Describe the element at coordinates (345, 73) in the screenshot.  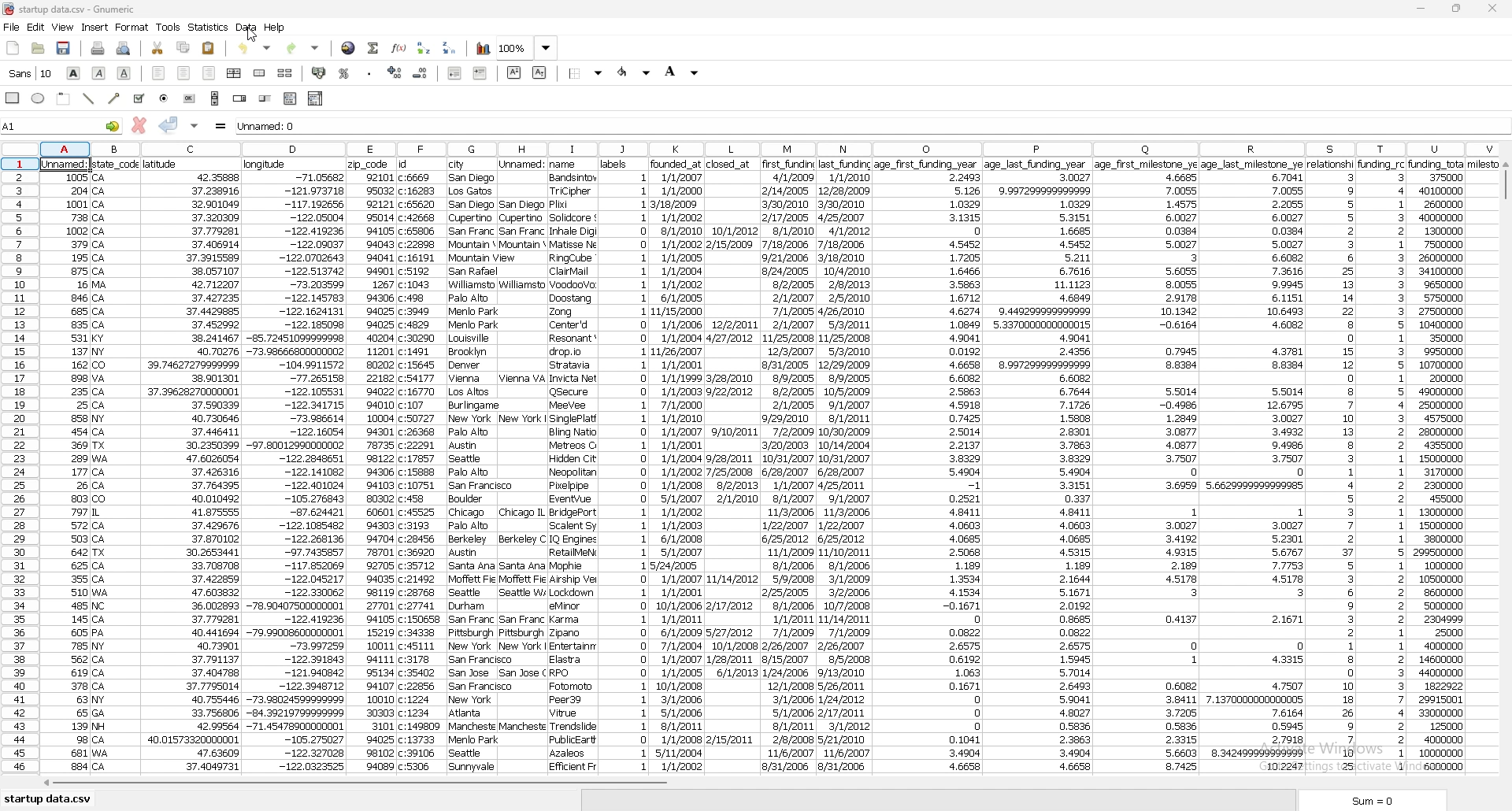
I see `percentage` at that location.